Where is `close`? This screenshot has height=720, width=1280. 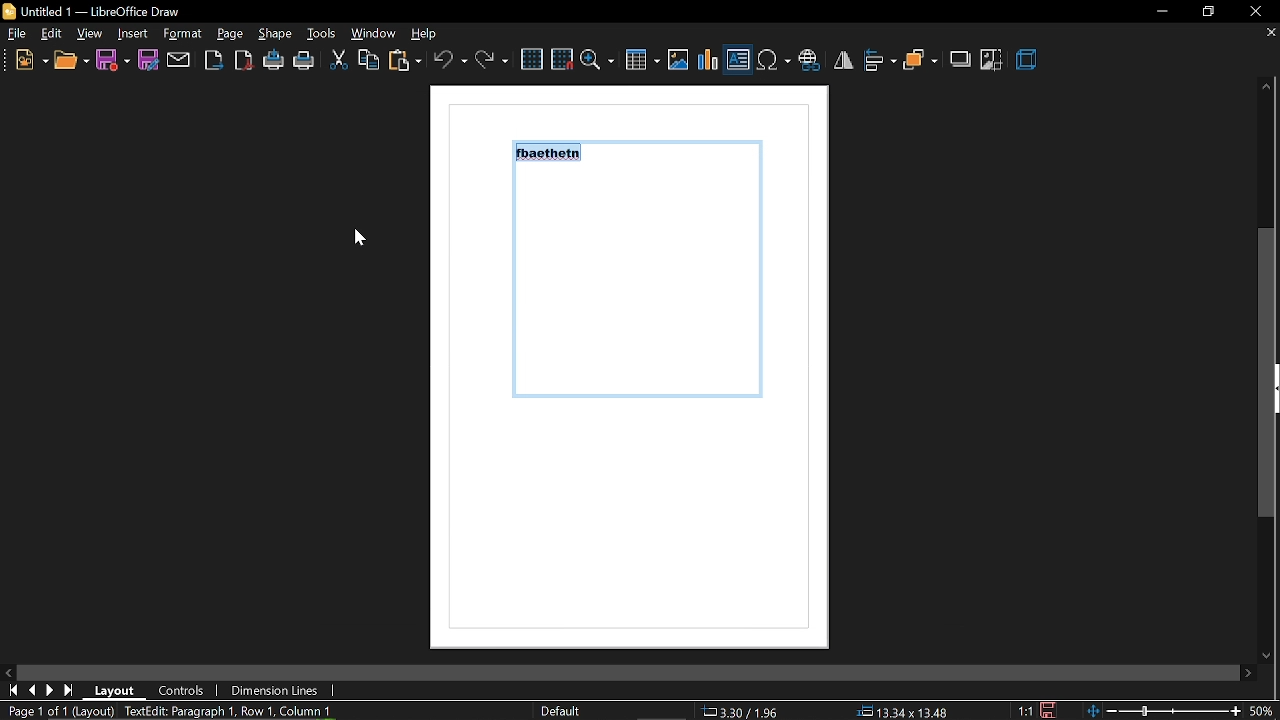
close is located at coordinates (1257, 11).